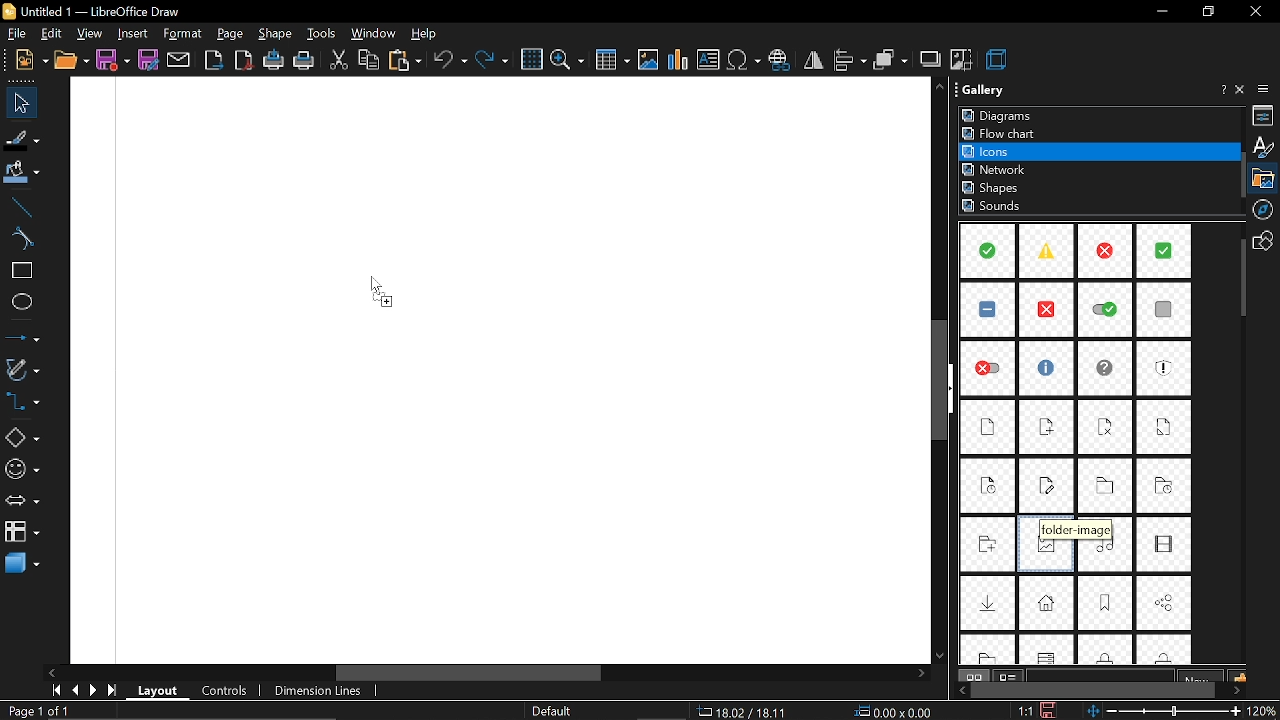 The width and height of the screenshot is (1280, 720). I want to click on format, so click(183, 35).